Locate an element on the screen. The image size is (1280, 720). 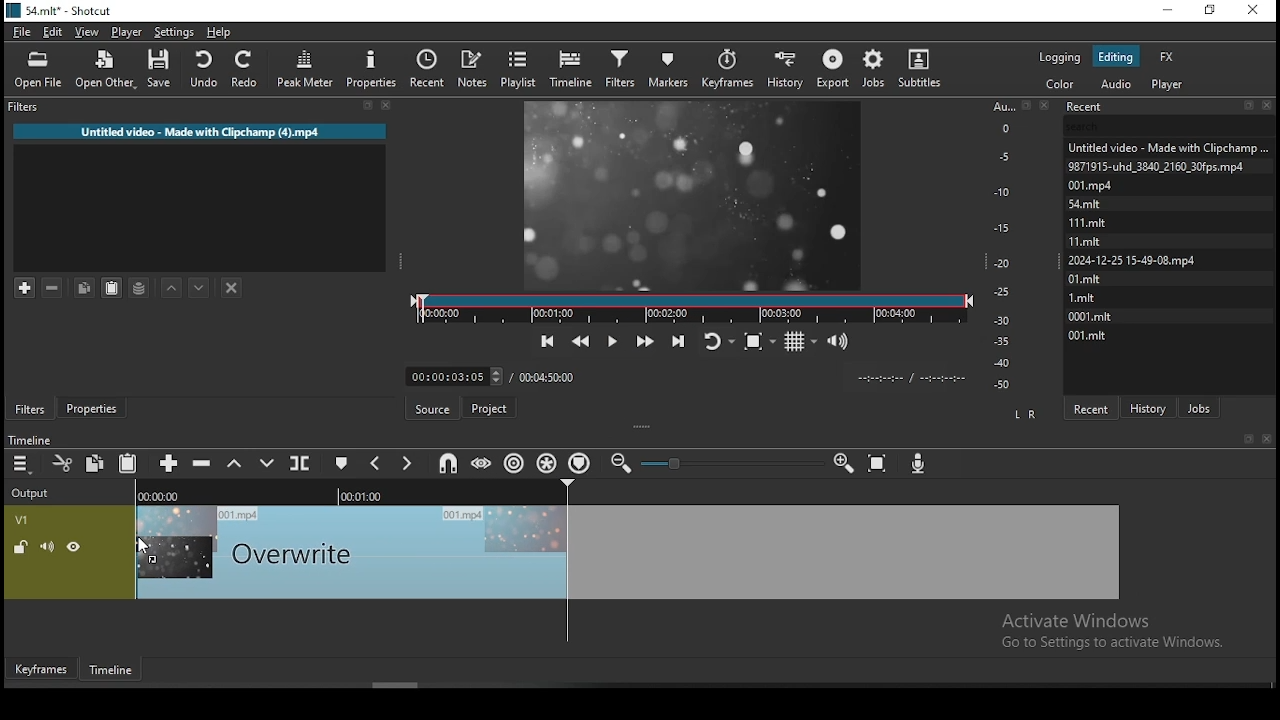
volume control is located at coordinates (840, 342).